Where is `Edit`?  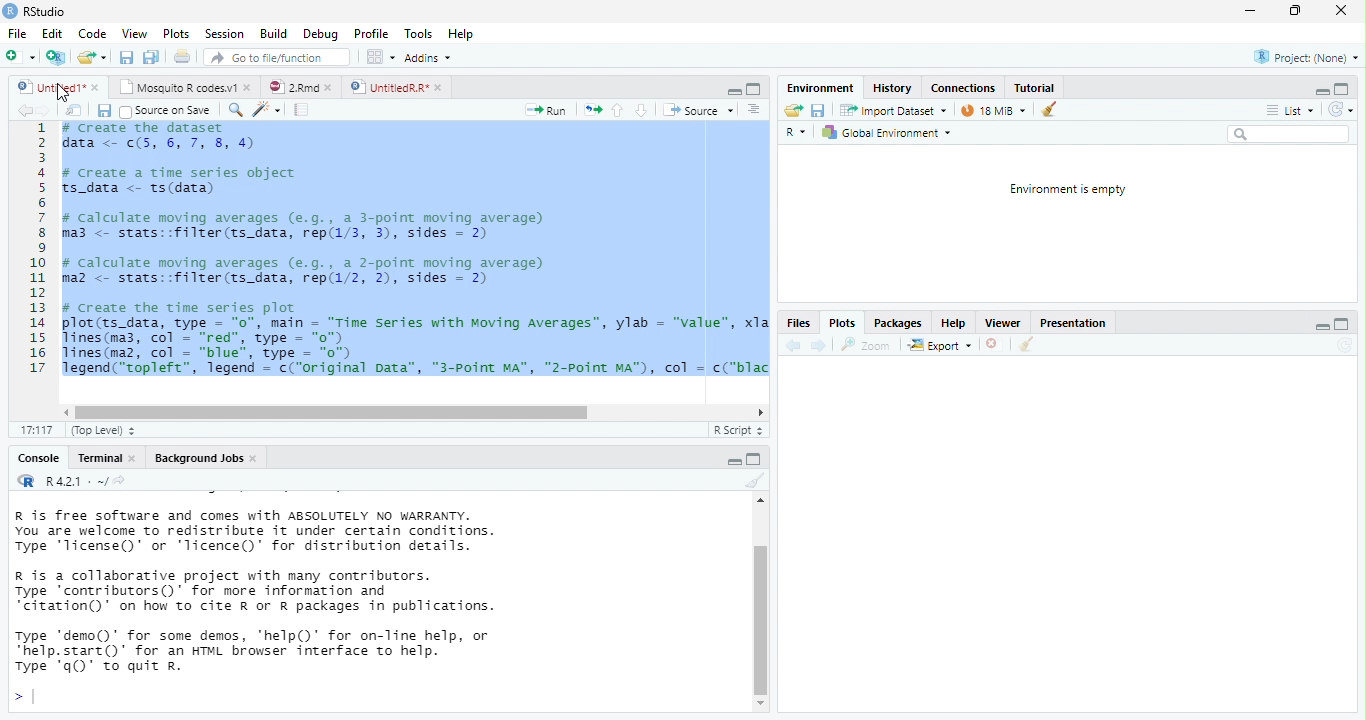
Edit is located at coordinates (52, 33).